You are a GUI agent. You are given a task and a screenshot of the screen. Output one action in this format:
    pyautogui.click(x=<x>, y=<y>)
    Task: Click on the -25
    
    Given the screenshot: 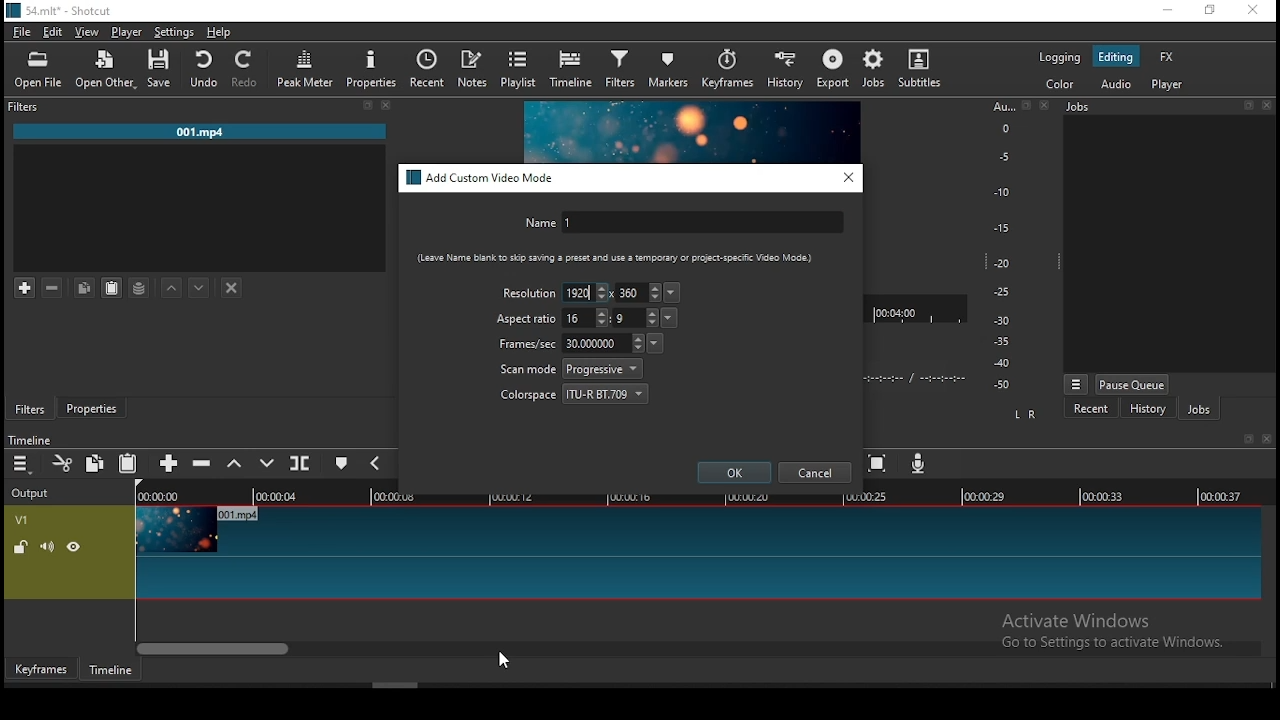 What is the action you would take?
    pyautogui.click(x=1002, y=293)
    